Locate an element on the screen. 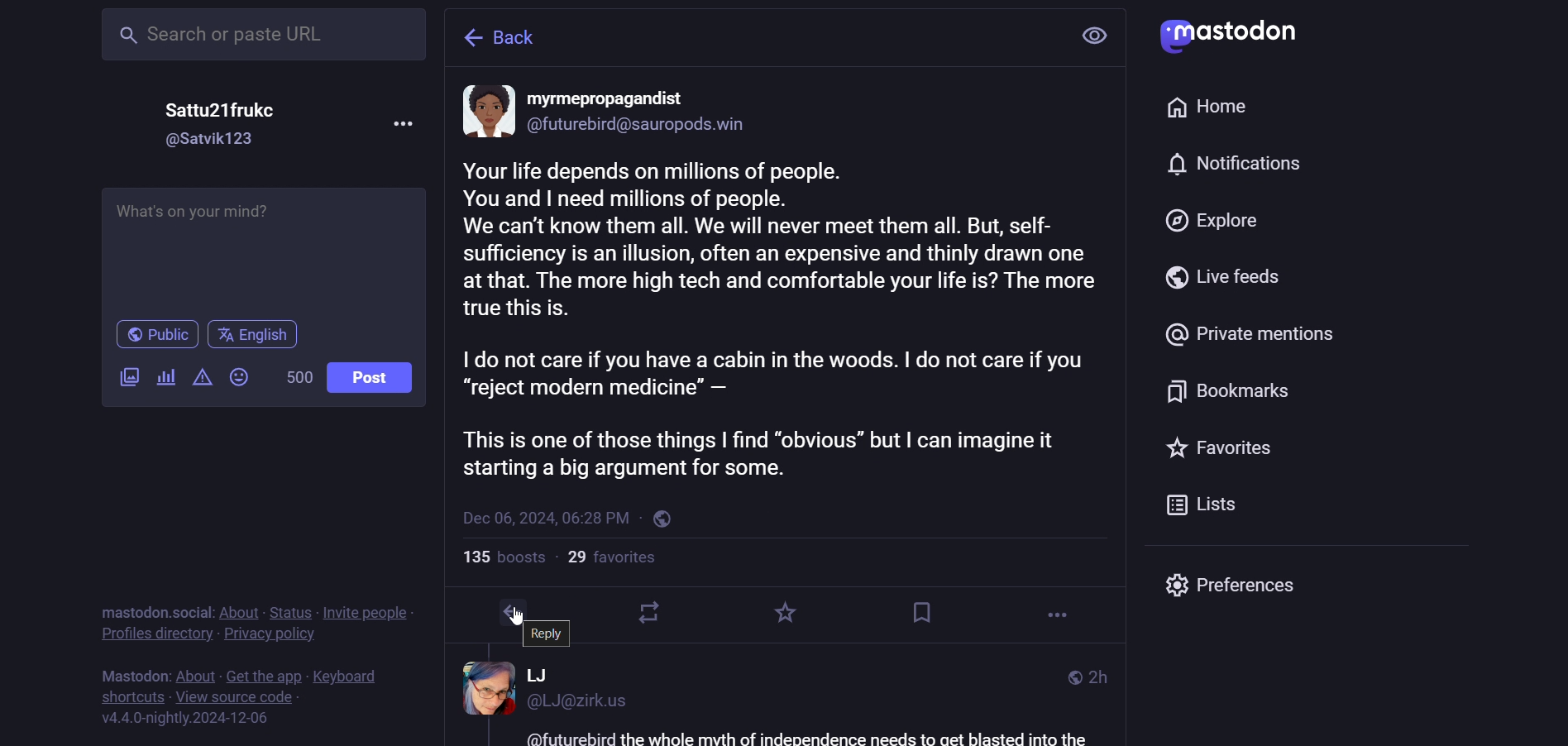 This screenshot has width=1568, height=746. bookmark is located at coordinates (1230, 390).